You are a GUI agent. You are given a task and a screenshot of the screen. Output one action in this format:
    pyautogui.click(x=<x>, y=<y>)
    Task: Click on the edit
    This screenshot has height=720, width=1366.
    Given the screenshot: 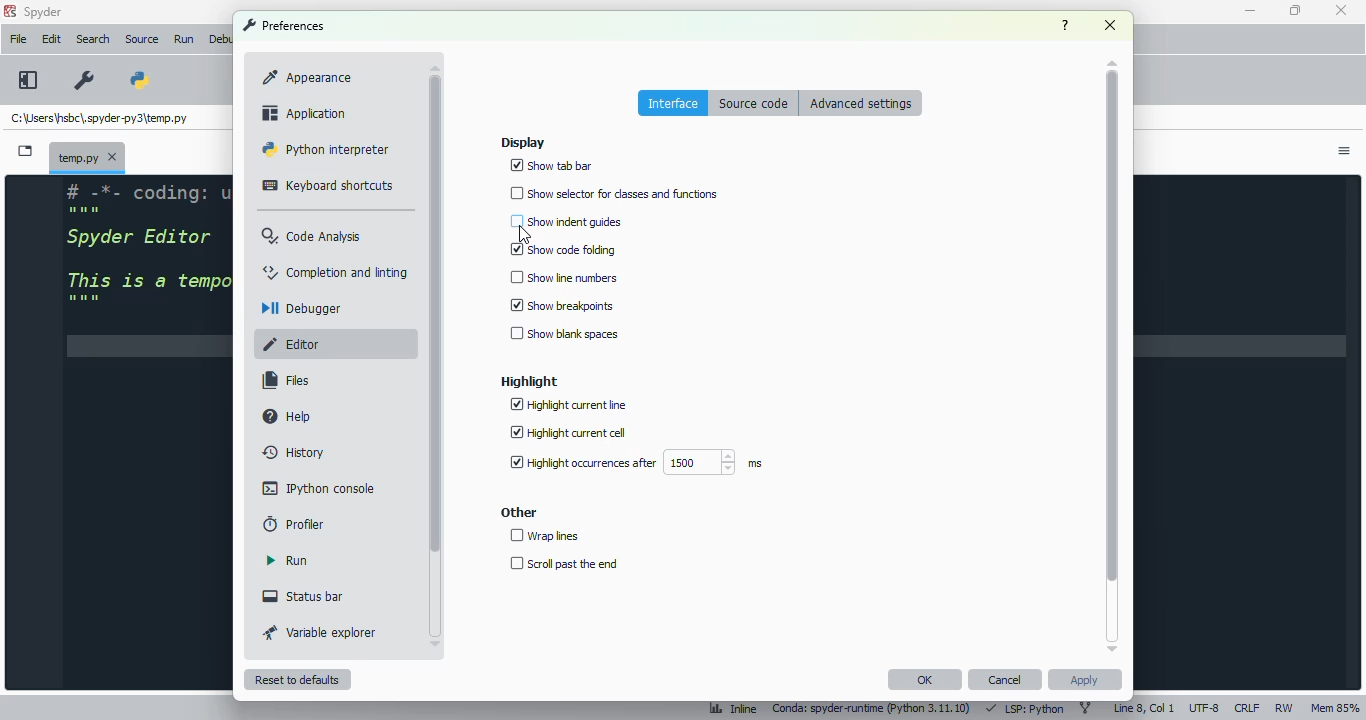 What is the action you would take?
    pyautogui.click(x=52, y=39)
    